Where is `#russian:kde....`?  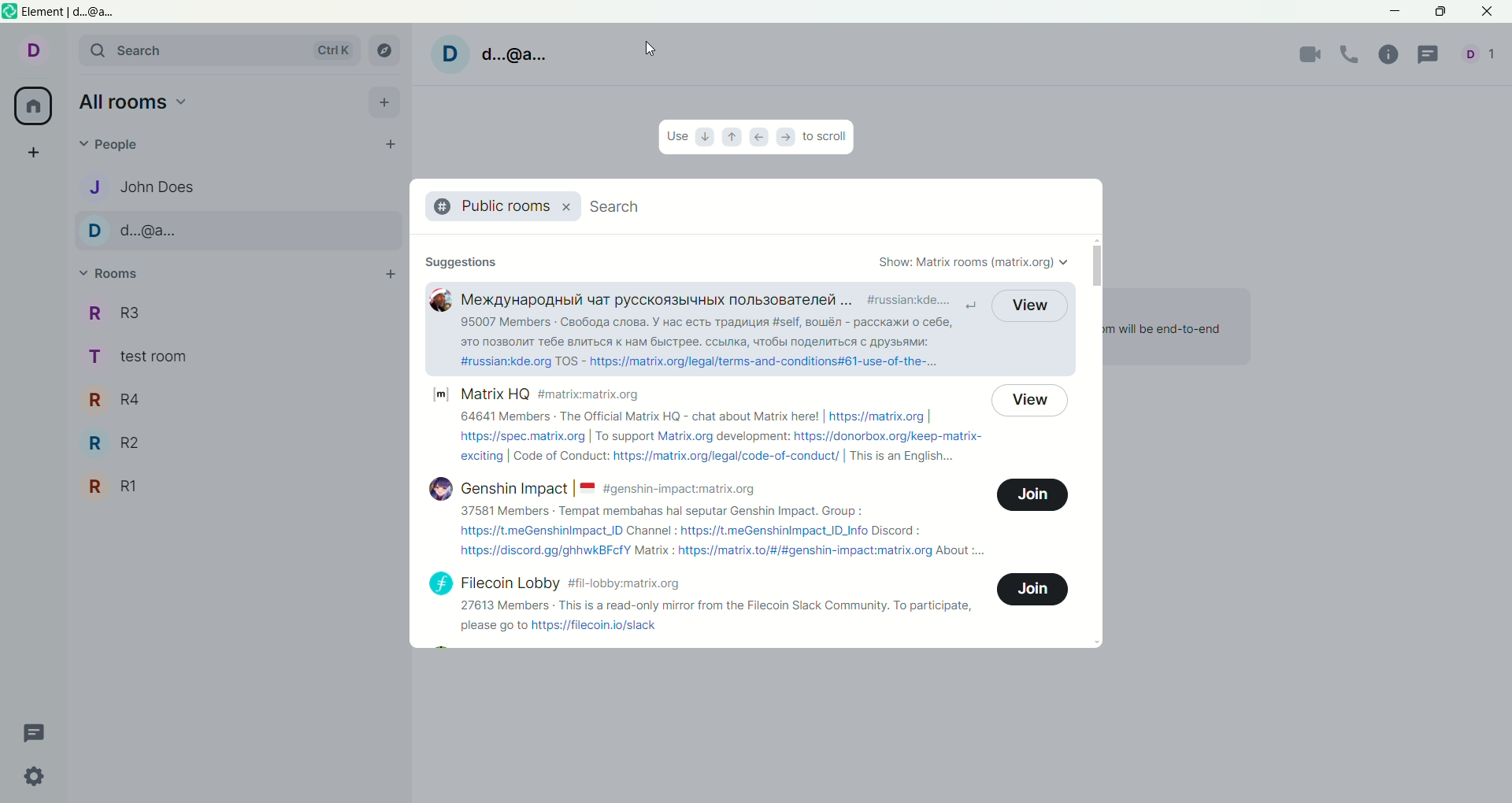 #russian:kde.... is located at coordinates (910, 300).